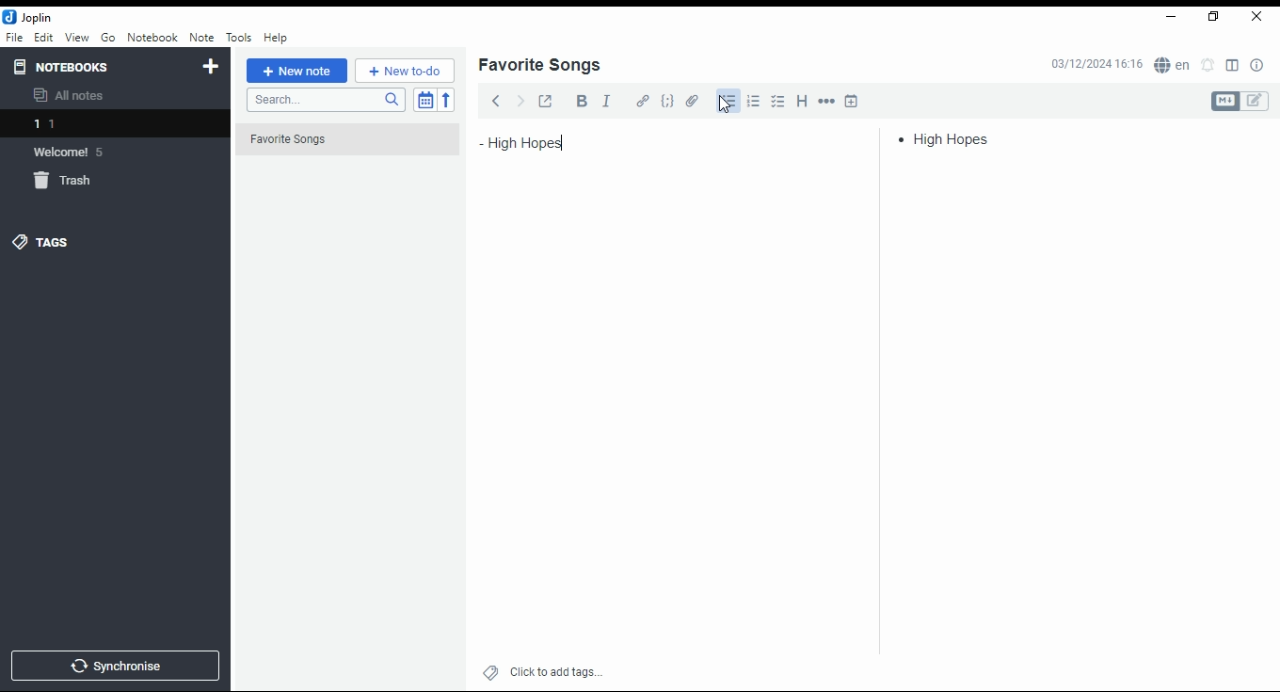  I want to click on code, so click(667, 101).